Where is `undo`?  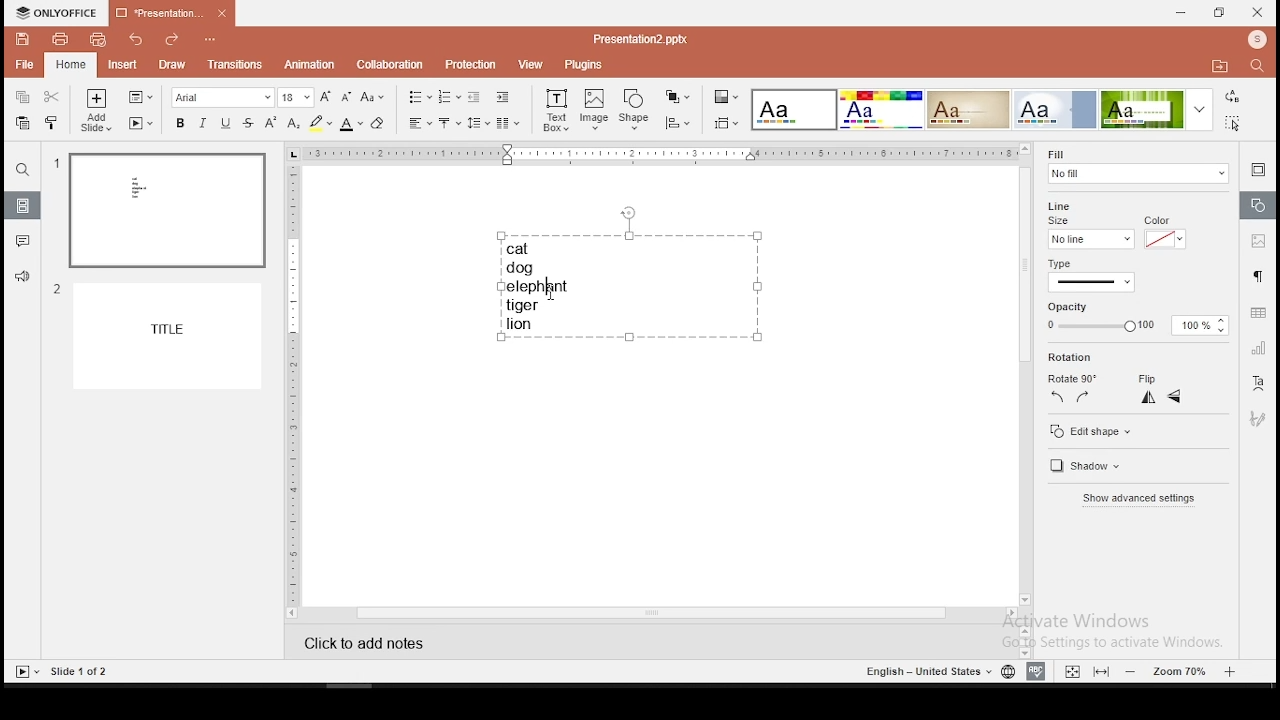
undo is located at coordinates (136, 39).